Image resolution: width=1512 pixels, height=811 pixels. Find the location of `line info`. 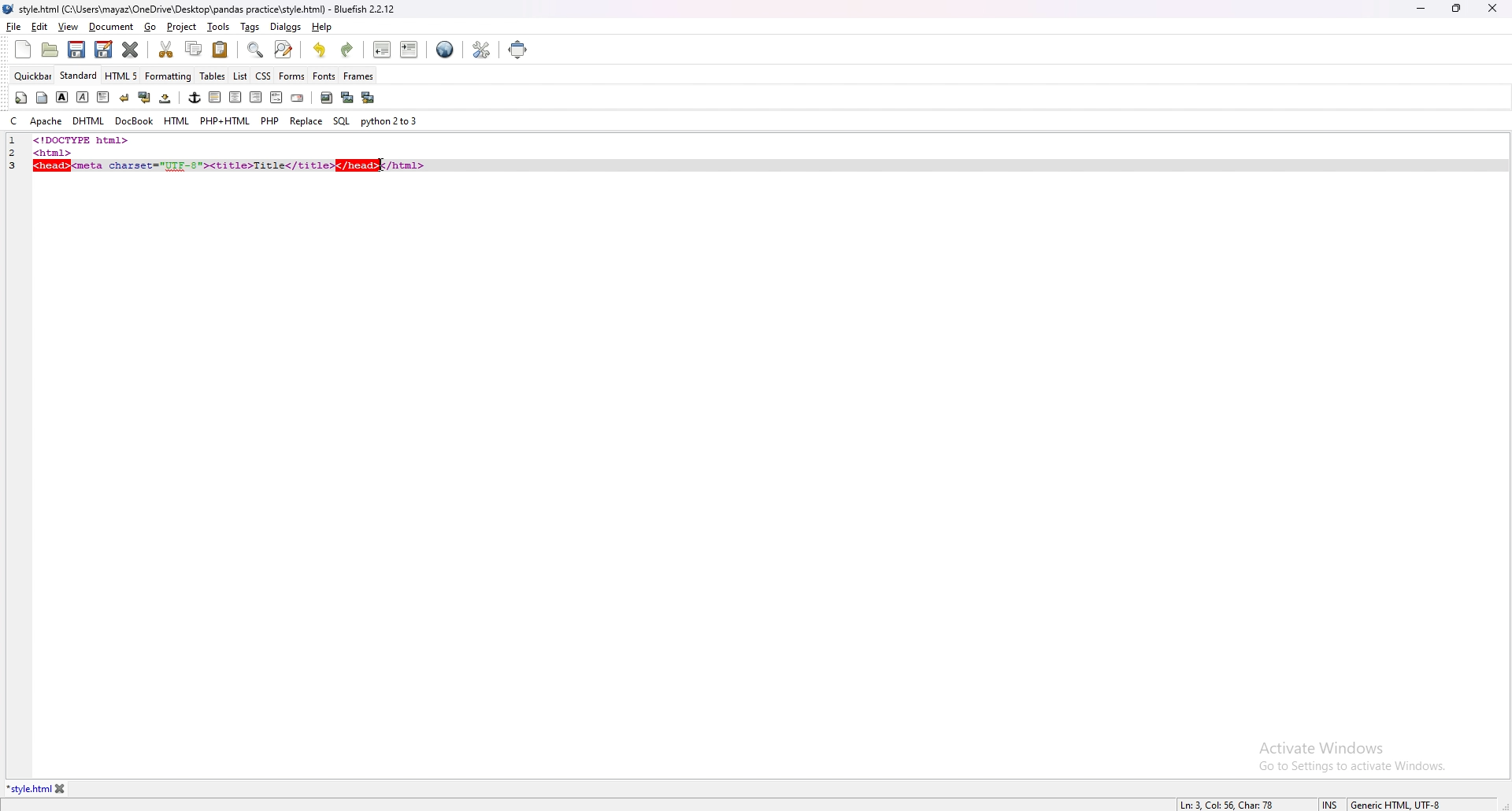

line info is located at coordinates (1226, 803).